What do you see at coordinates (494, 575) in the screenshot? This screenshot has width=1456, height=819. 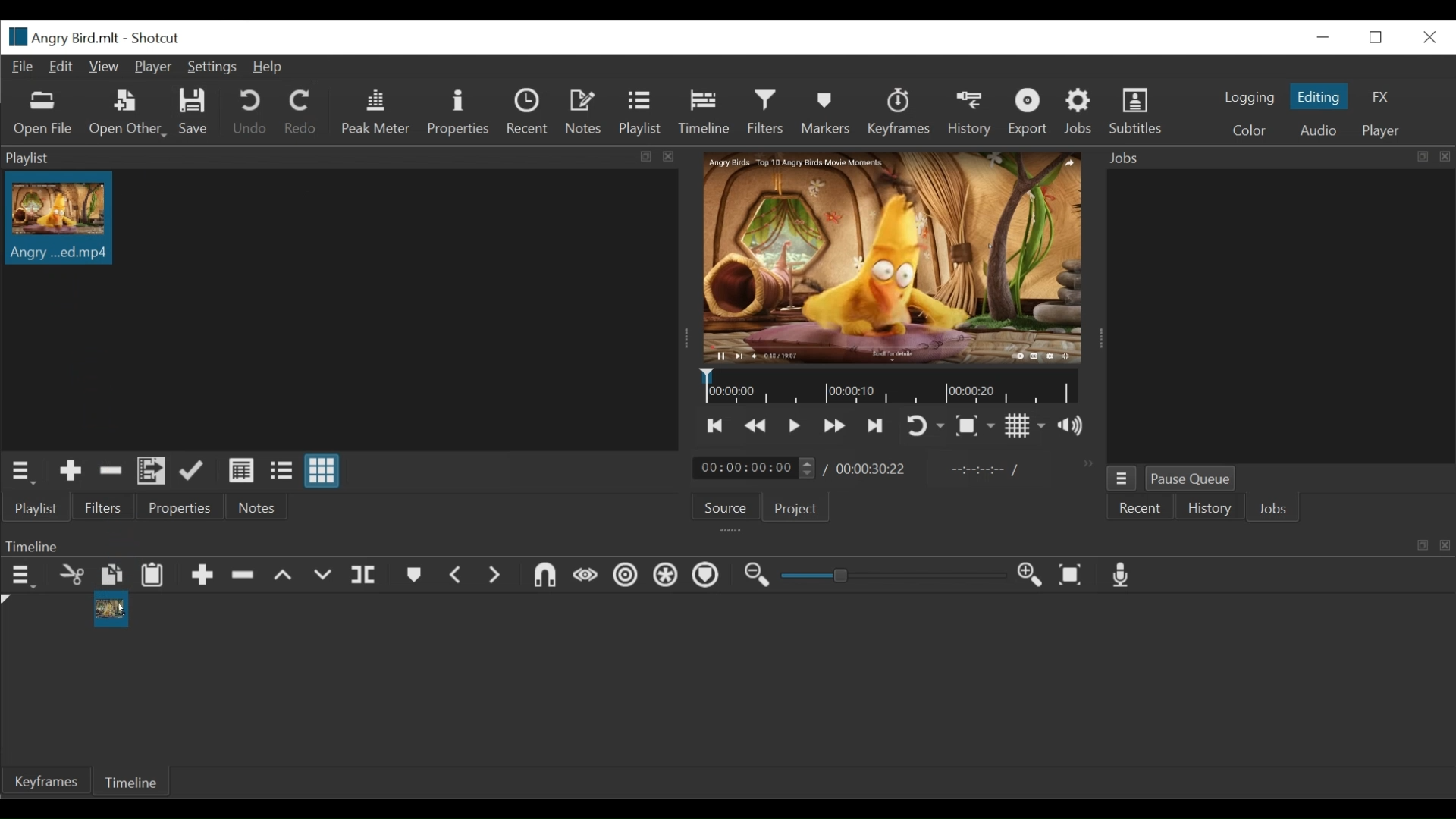 I see `next marker` at bounding box center [494, 575].